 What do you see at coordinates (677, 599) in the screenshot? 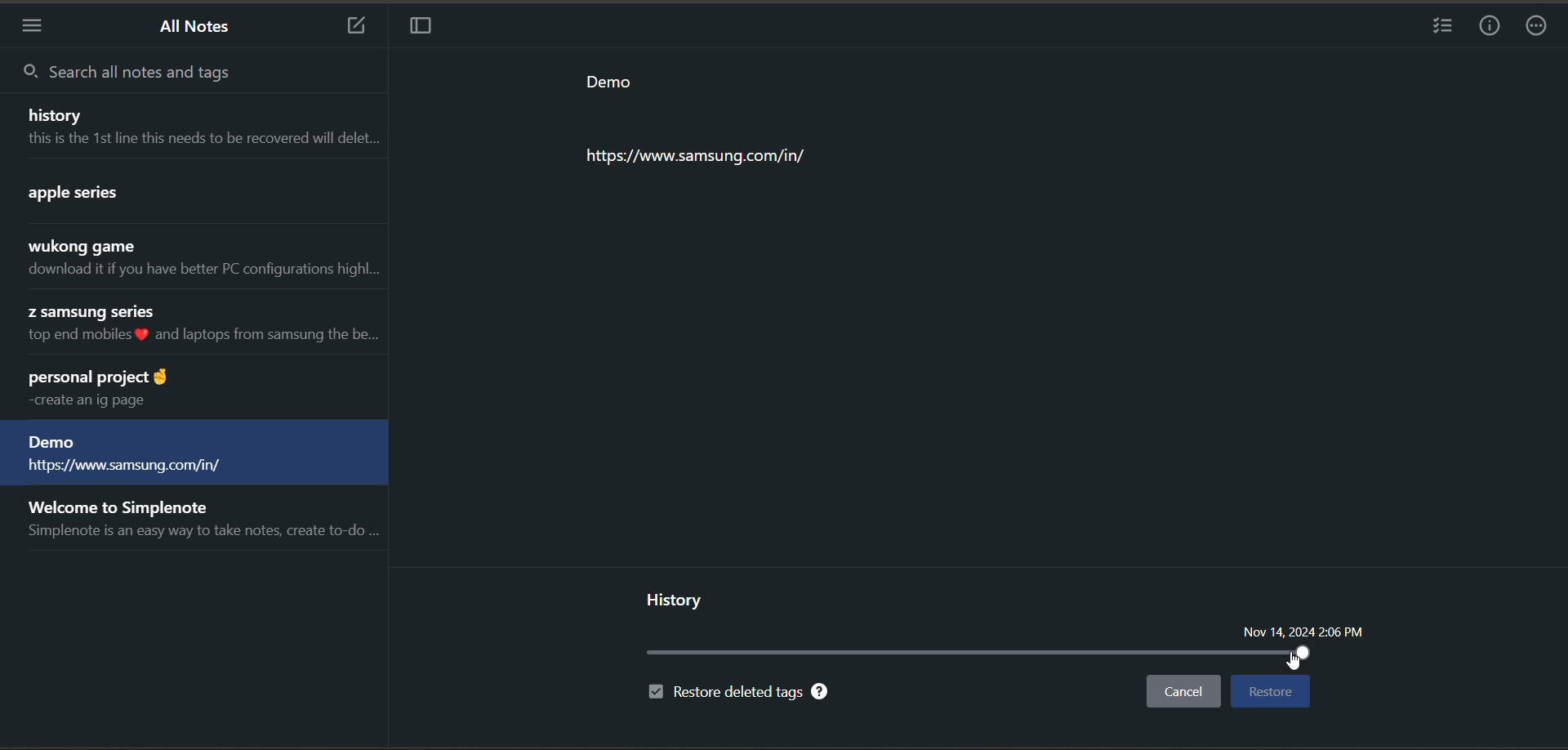
I see `history` at bounding box center [677, 599].